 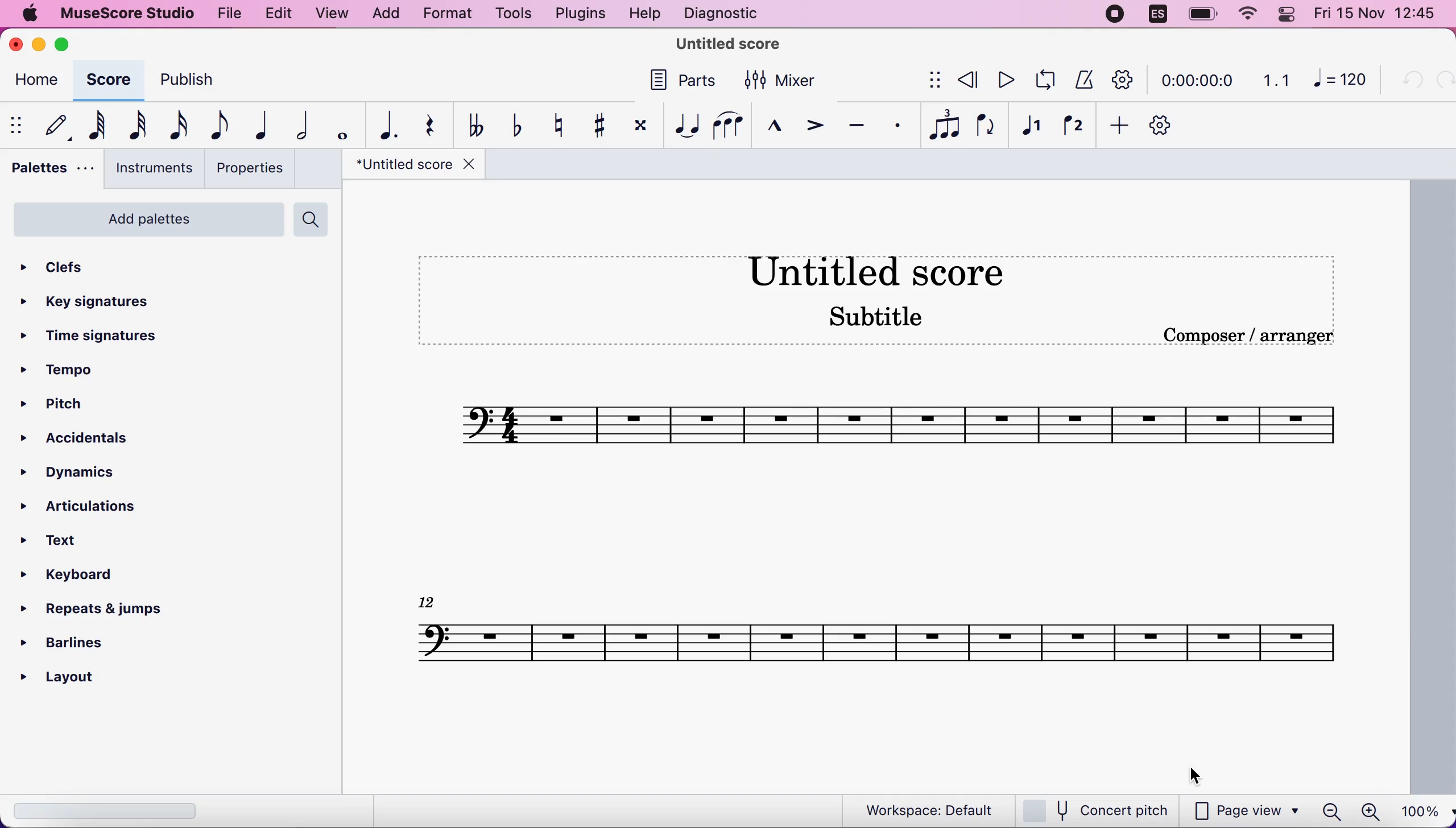 I want to click on concert pitch, so click(x=1098, y=810).